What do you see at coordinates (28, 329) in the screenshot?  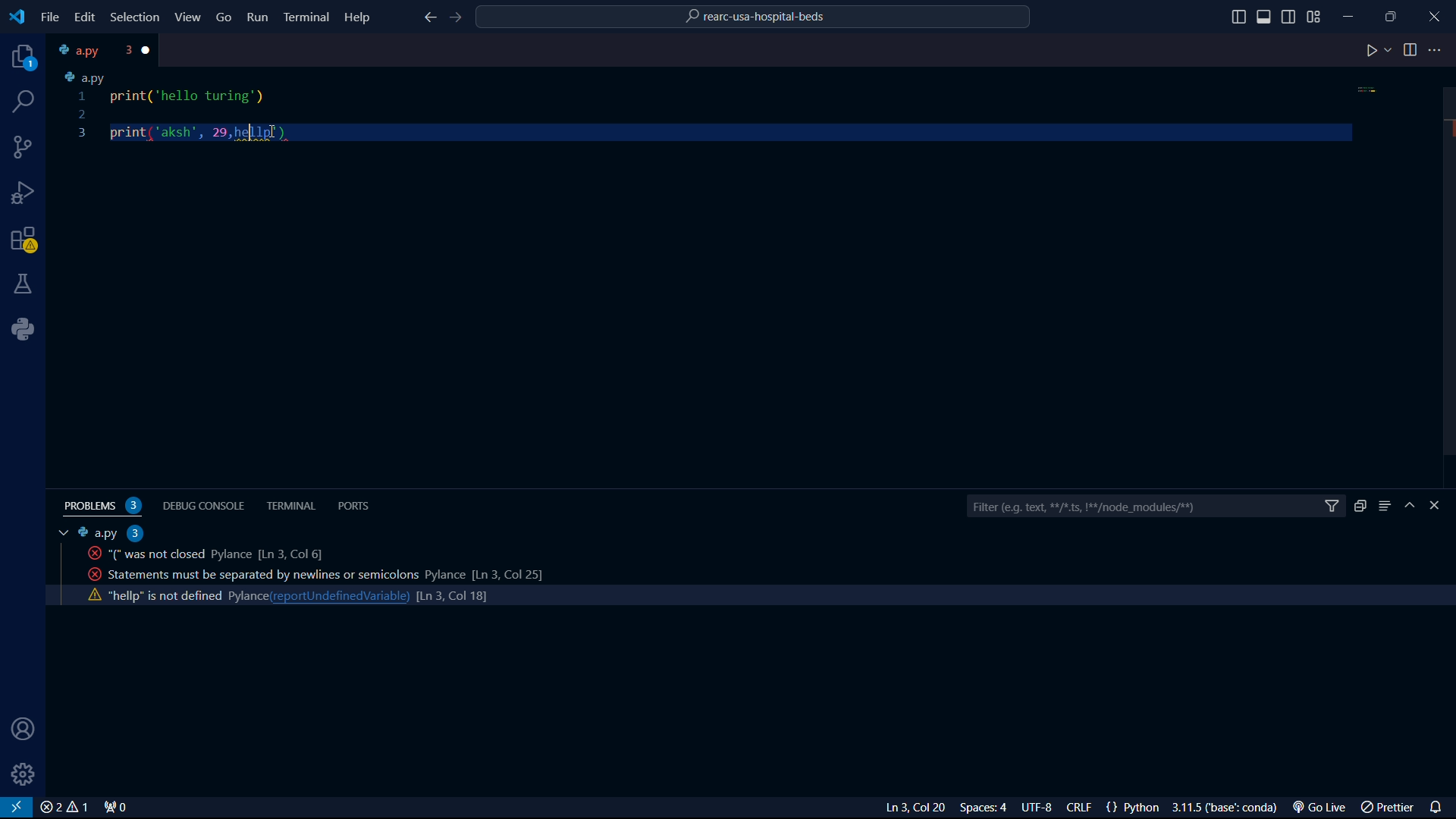 I see `python` at bounding box center [28, 329].